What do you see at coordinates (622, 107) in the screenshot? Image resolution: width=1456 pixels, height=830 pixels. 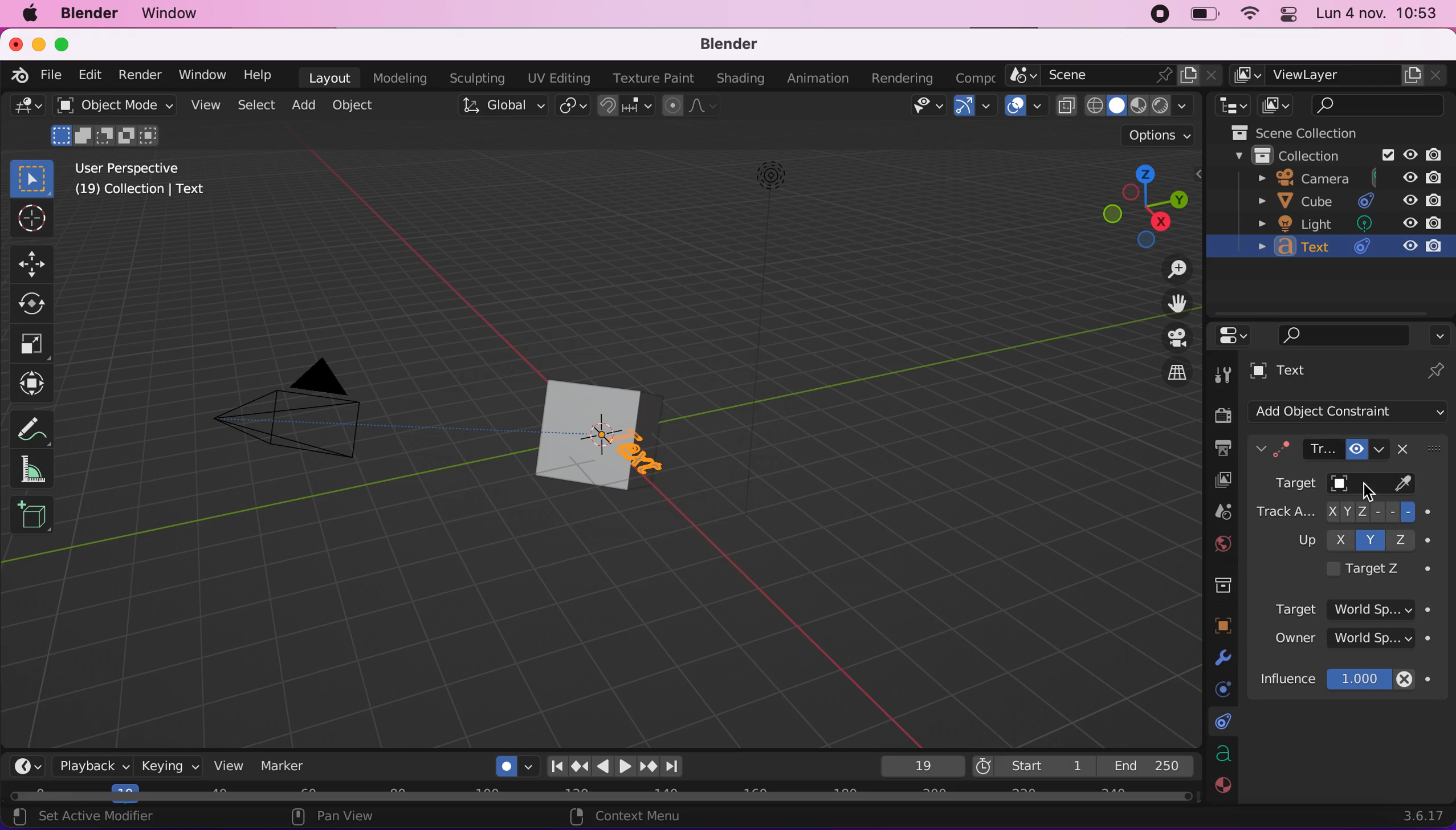 I see `snap` at bounding box center [622, 107].